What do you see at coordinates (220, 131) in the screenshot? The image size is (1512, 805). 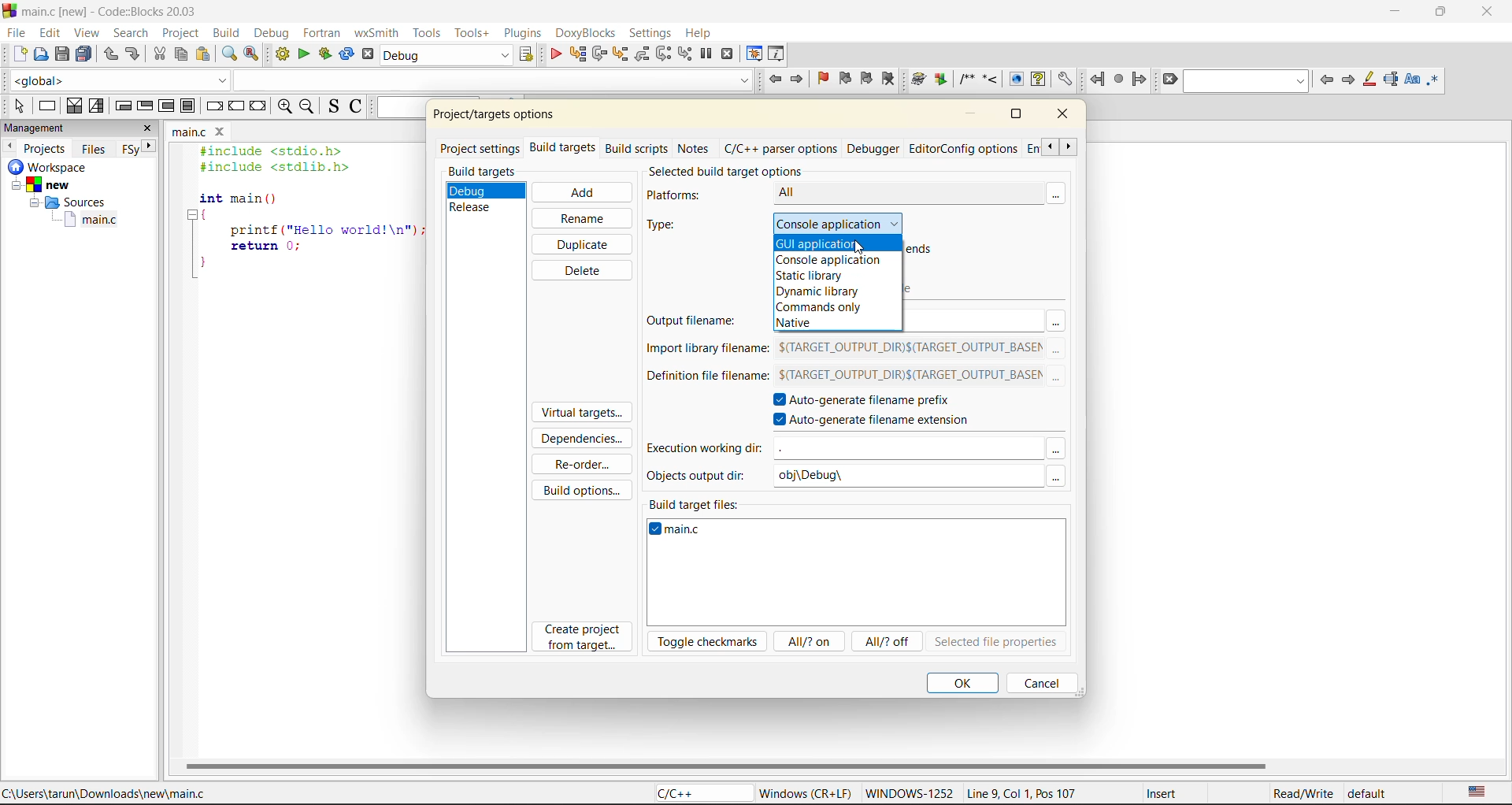 I see `close` at bounding box center [220, 131].